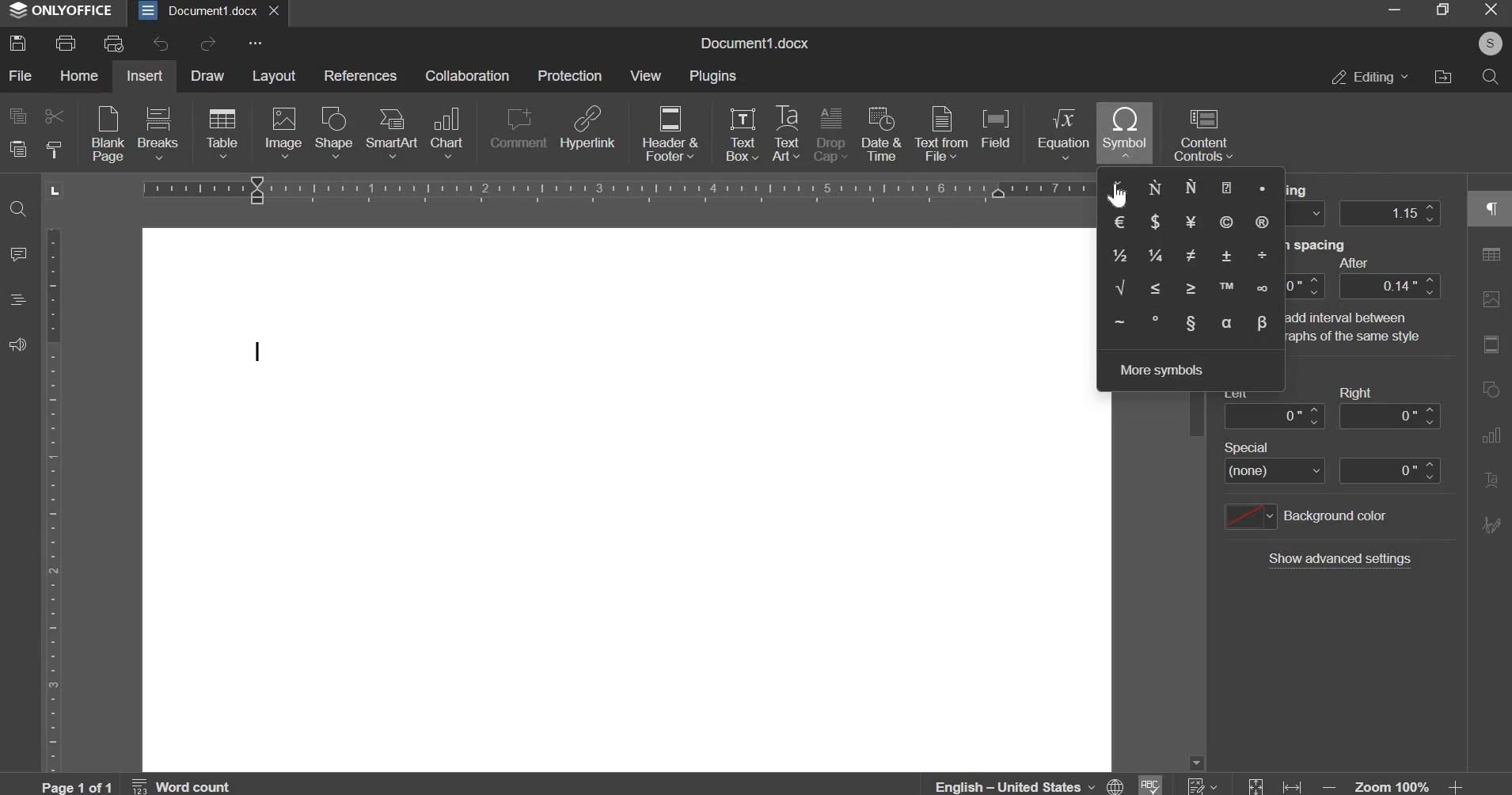 This screenshot has height=795, width=1512. I want to click on line spacing distance, so click(1390, 213).